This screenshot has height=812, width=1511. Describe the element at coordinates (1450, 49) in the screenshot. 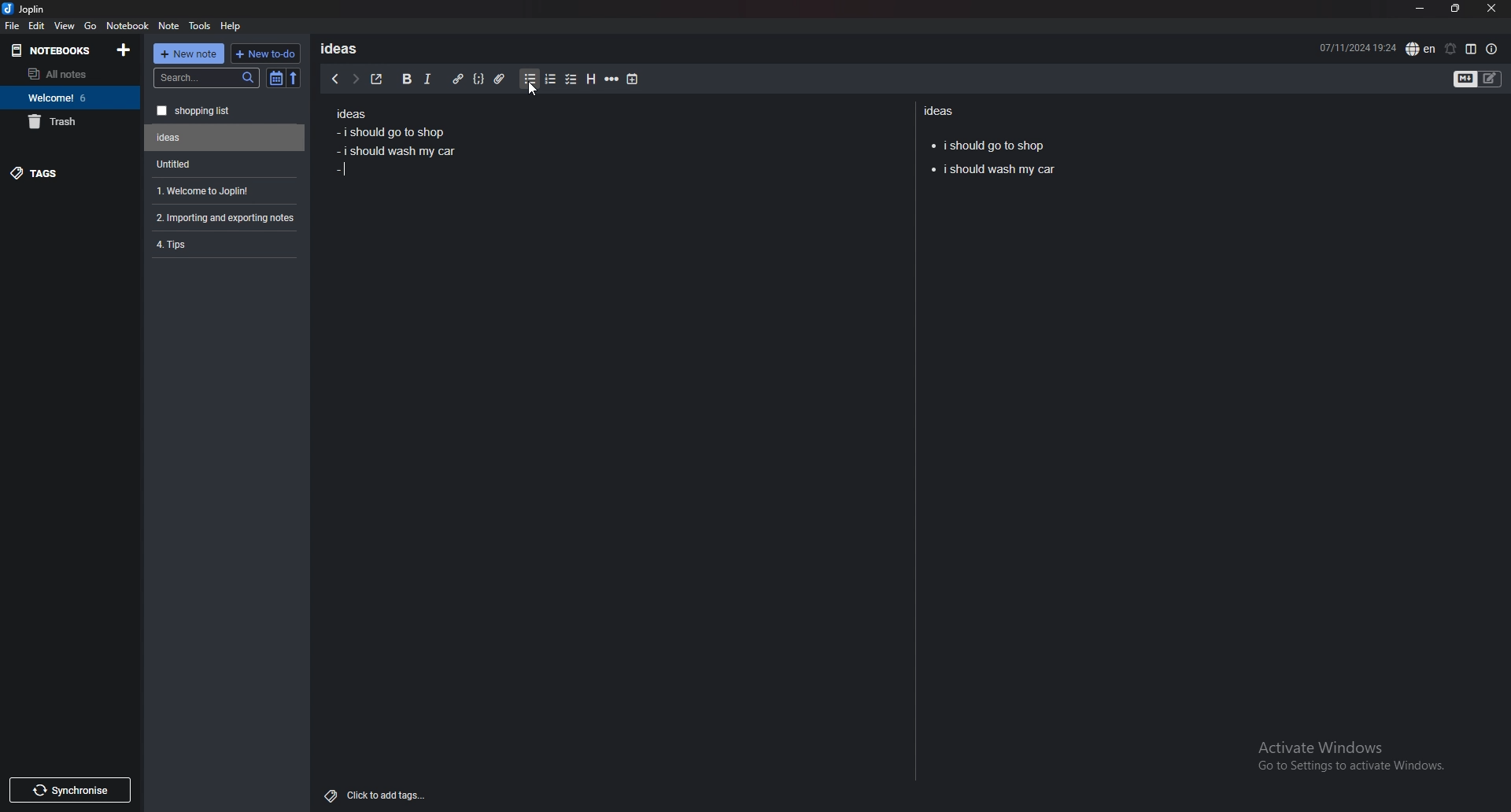

I see `set alarm` at that location.